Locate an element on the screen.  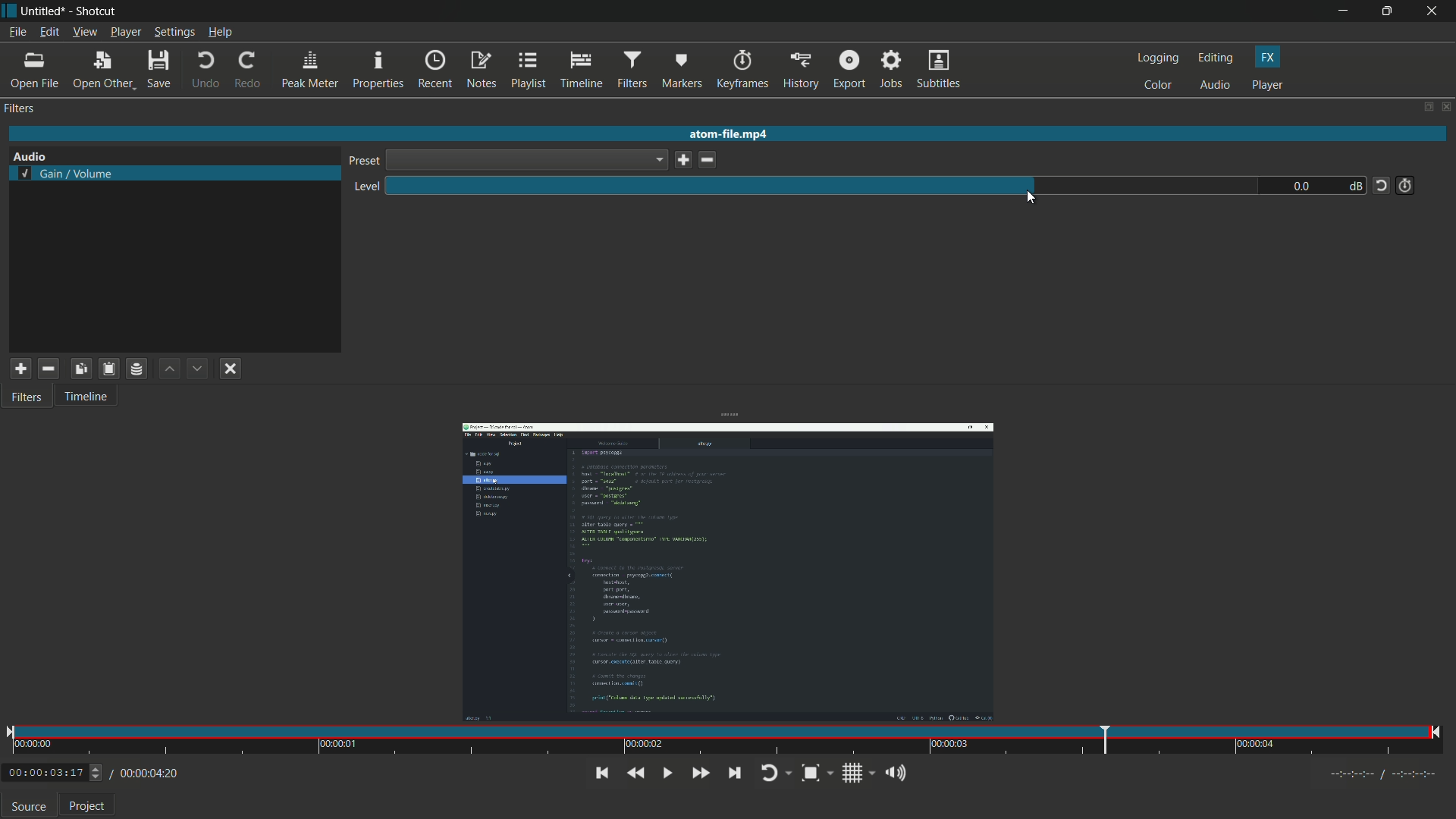
add keyframe for this parameter  is located at coordinates (1405, 185).